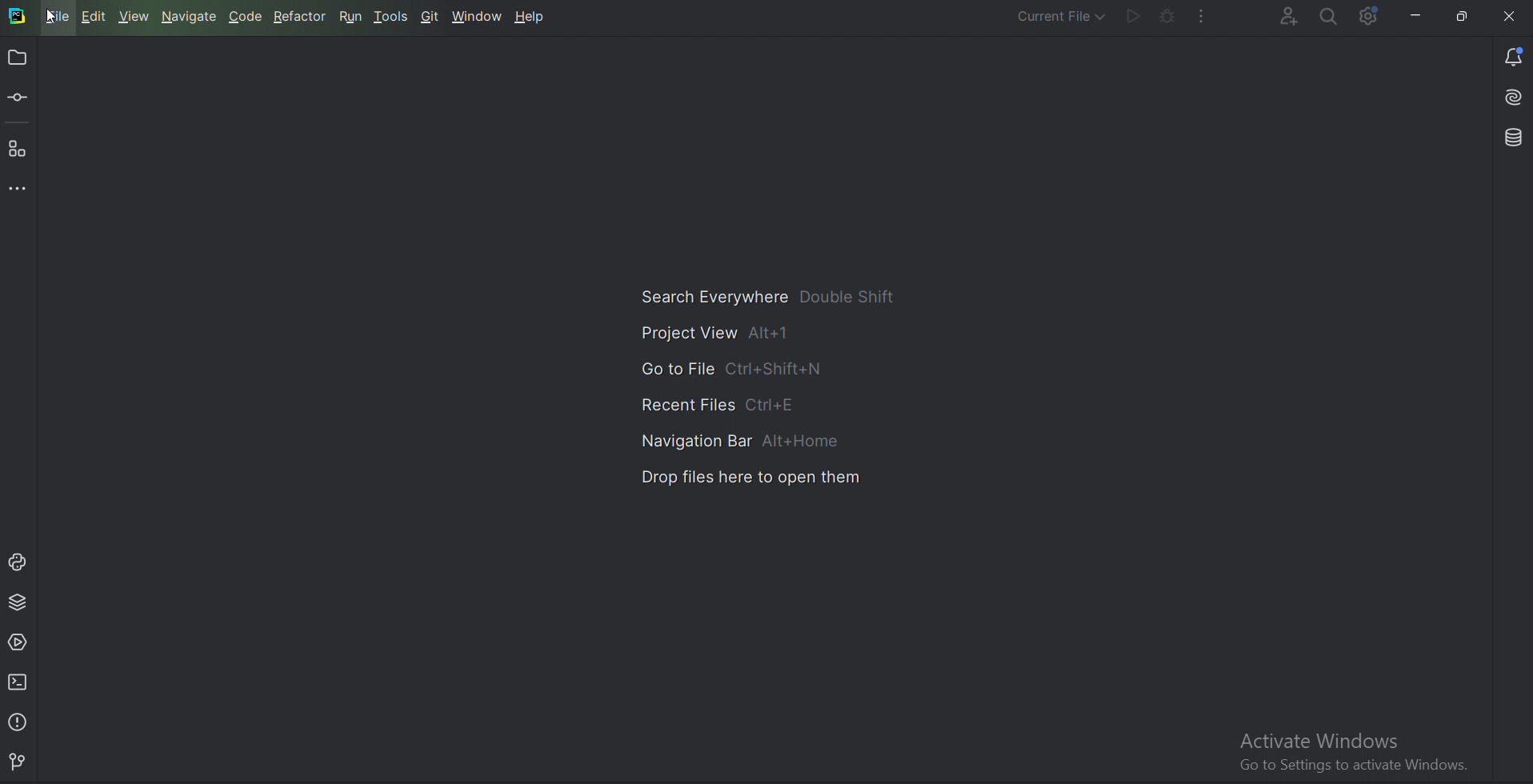 The height and width of the screenshot is (784, 1533). Describe the element at coordinates (1060, 14) in the screenshot. I see `Current file` at that location.